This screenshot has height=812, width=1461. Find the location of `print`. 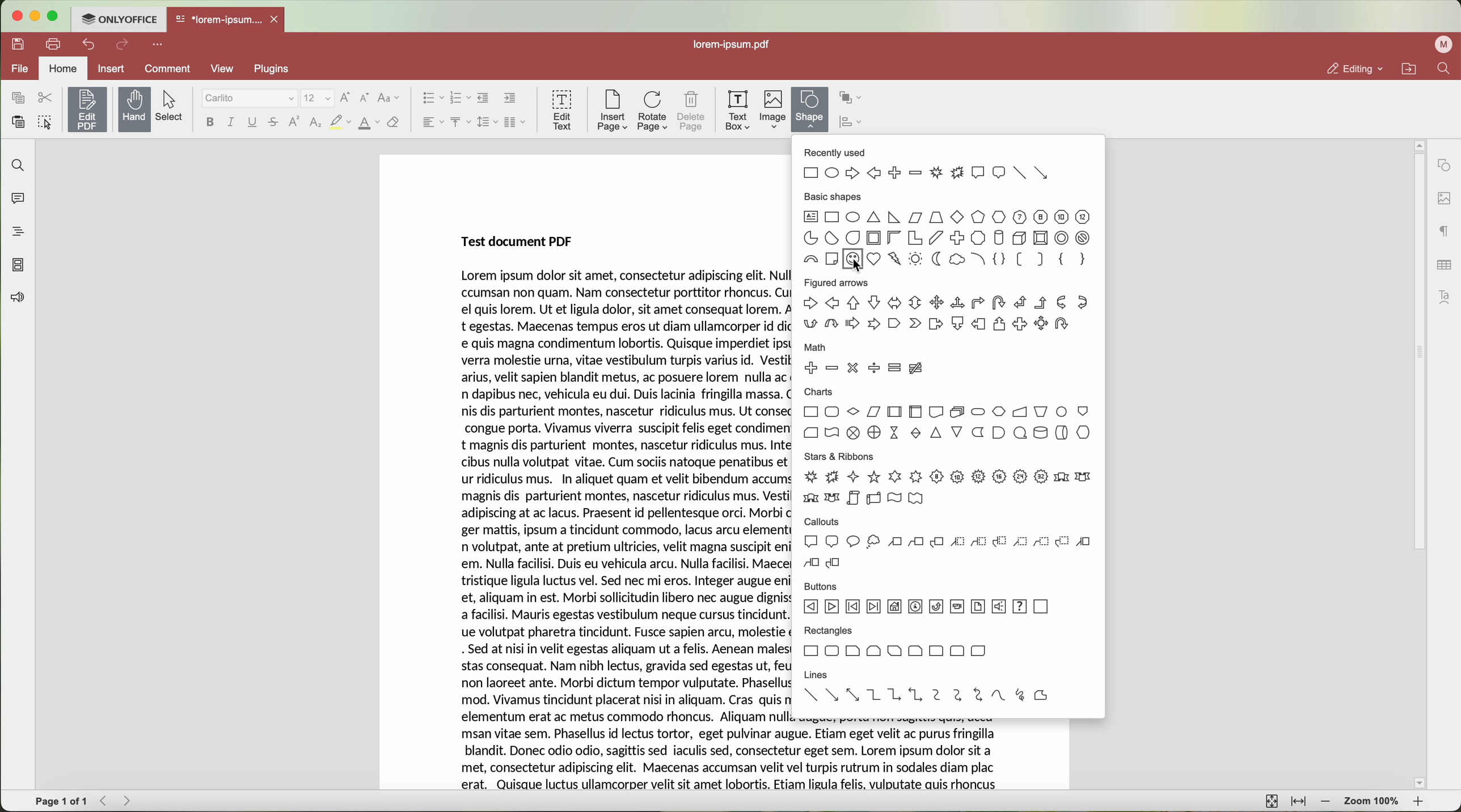

print is located at coordinates (54, 43).